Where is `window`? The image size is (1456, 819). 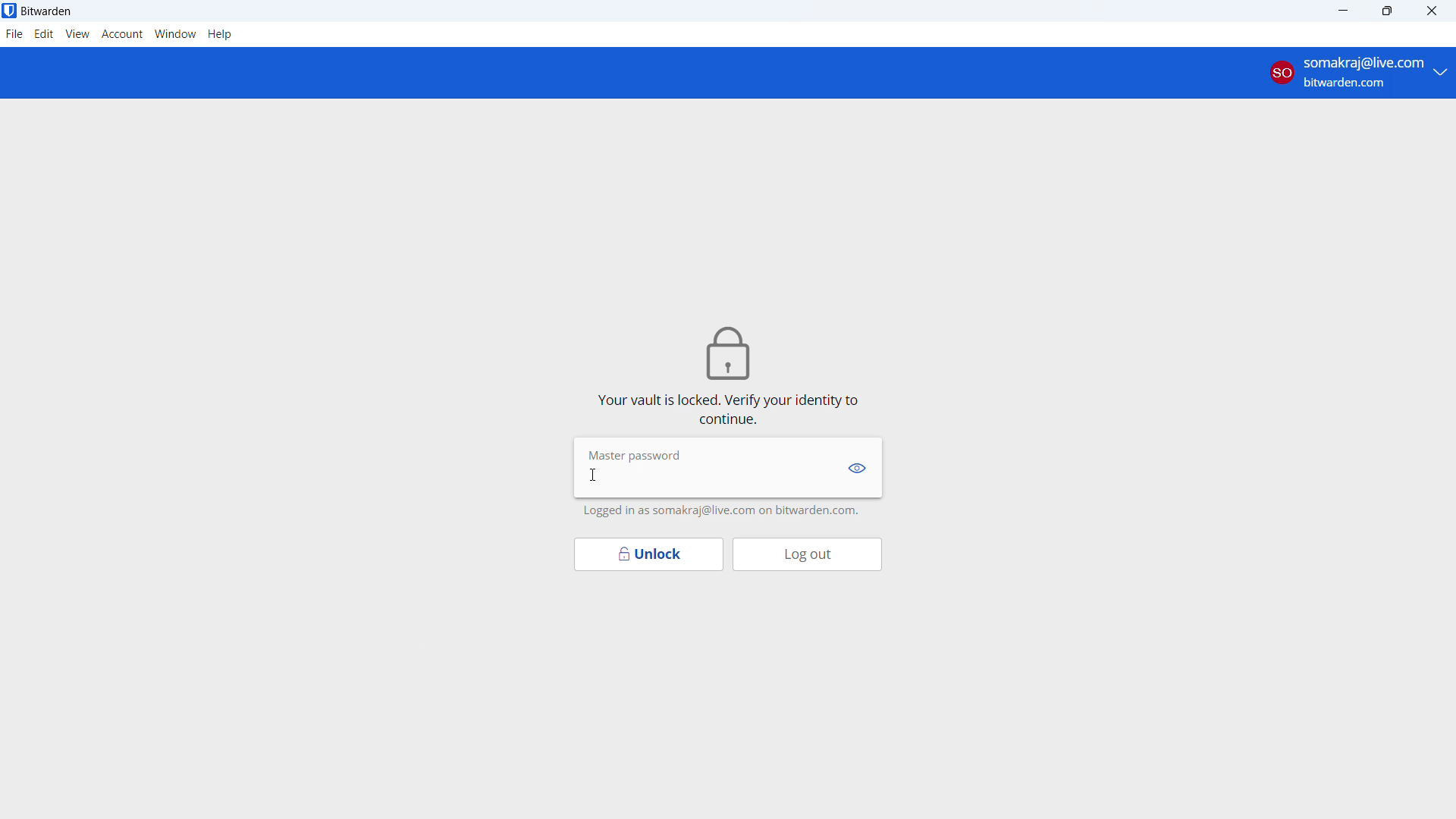 window is located at coordinates (175, 34).